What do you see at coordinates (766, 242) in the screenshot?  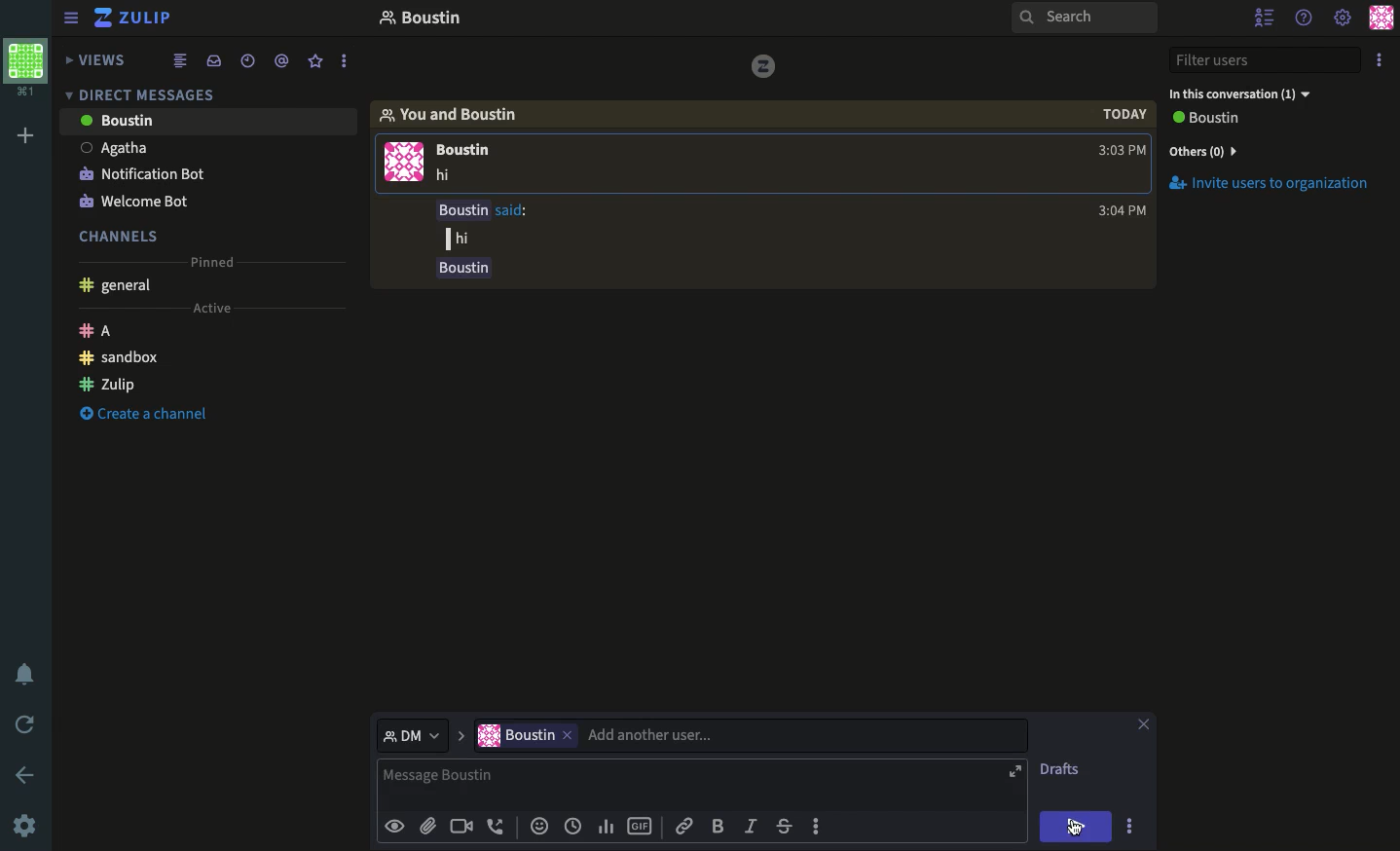 I see `Follow up` at bounding box center [766, 242].